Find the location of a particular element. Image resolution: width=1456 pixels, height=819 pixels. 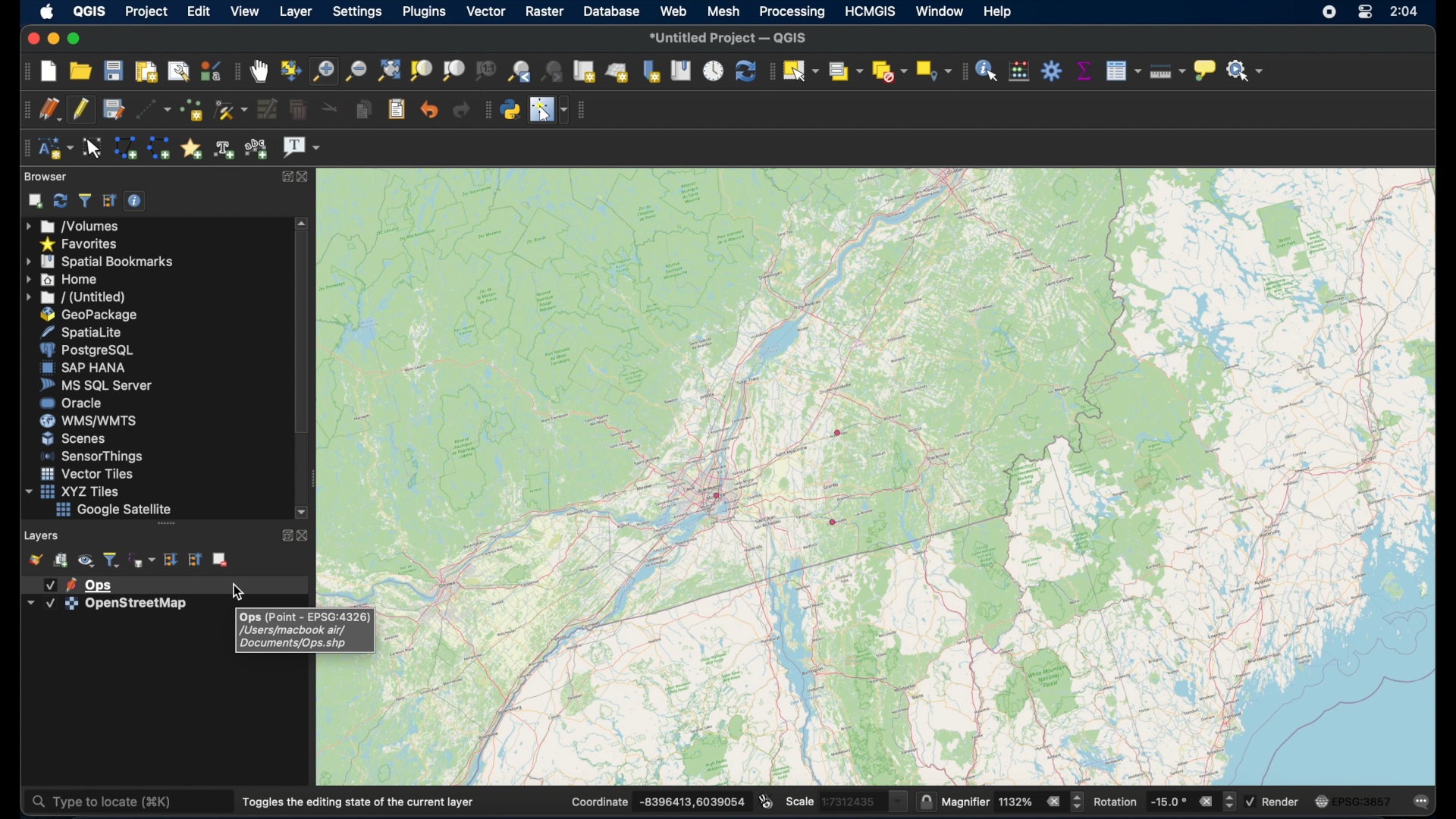

mesh is located at coordinates (725, 13).